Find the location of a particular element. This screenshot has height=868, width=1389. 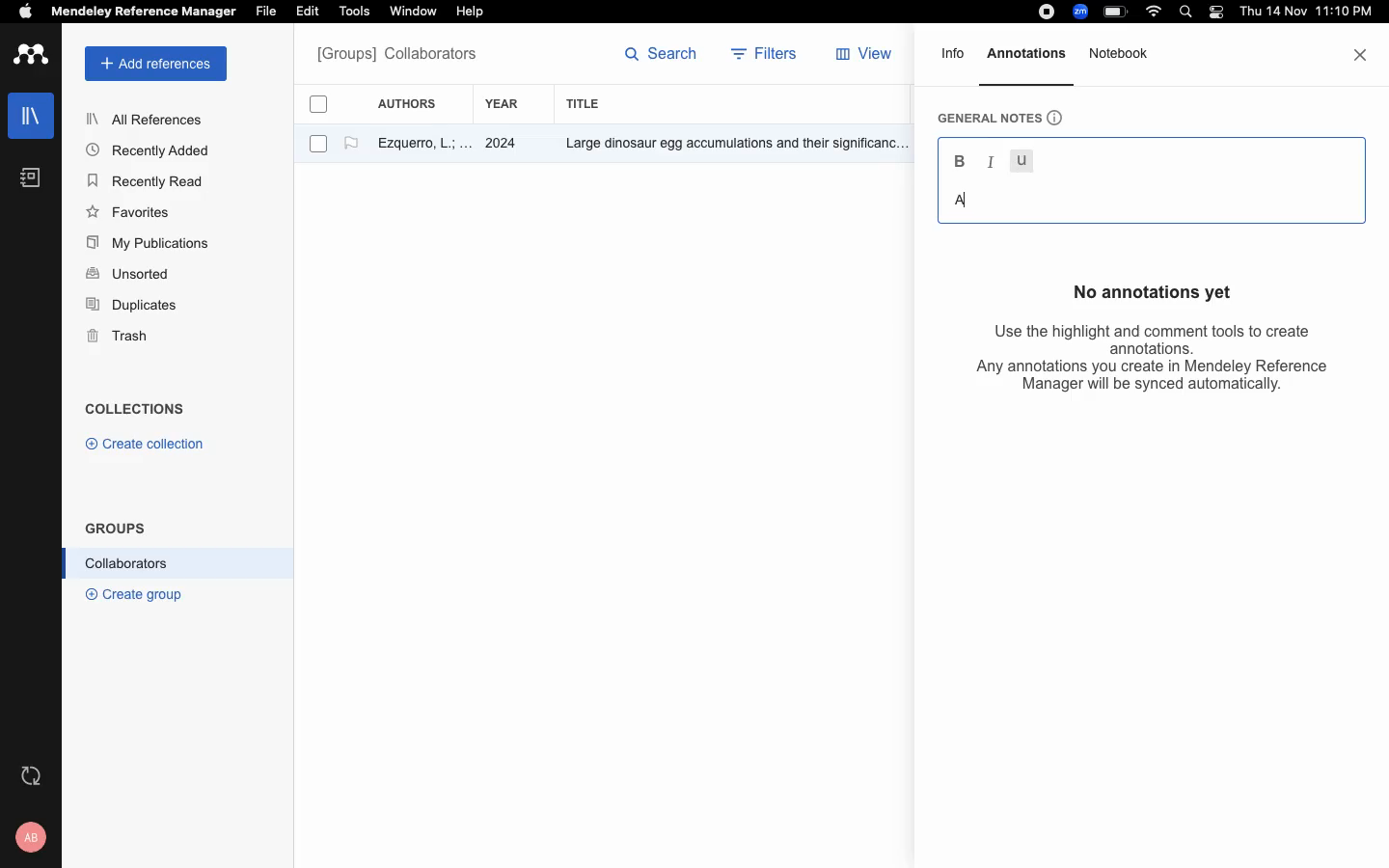

checkboxes is located at coordinates (311, 127).